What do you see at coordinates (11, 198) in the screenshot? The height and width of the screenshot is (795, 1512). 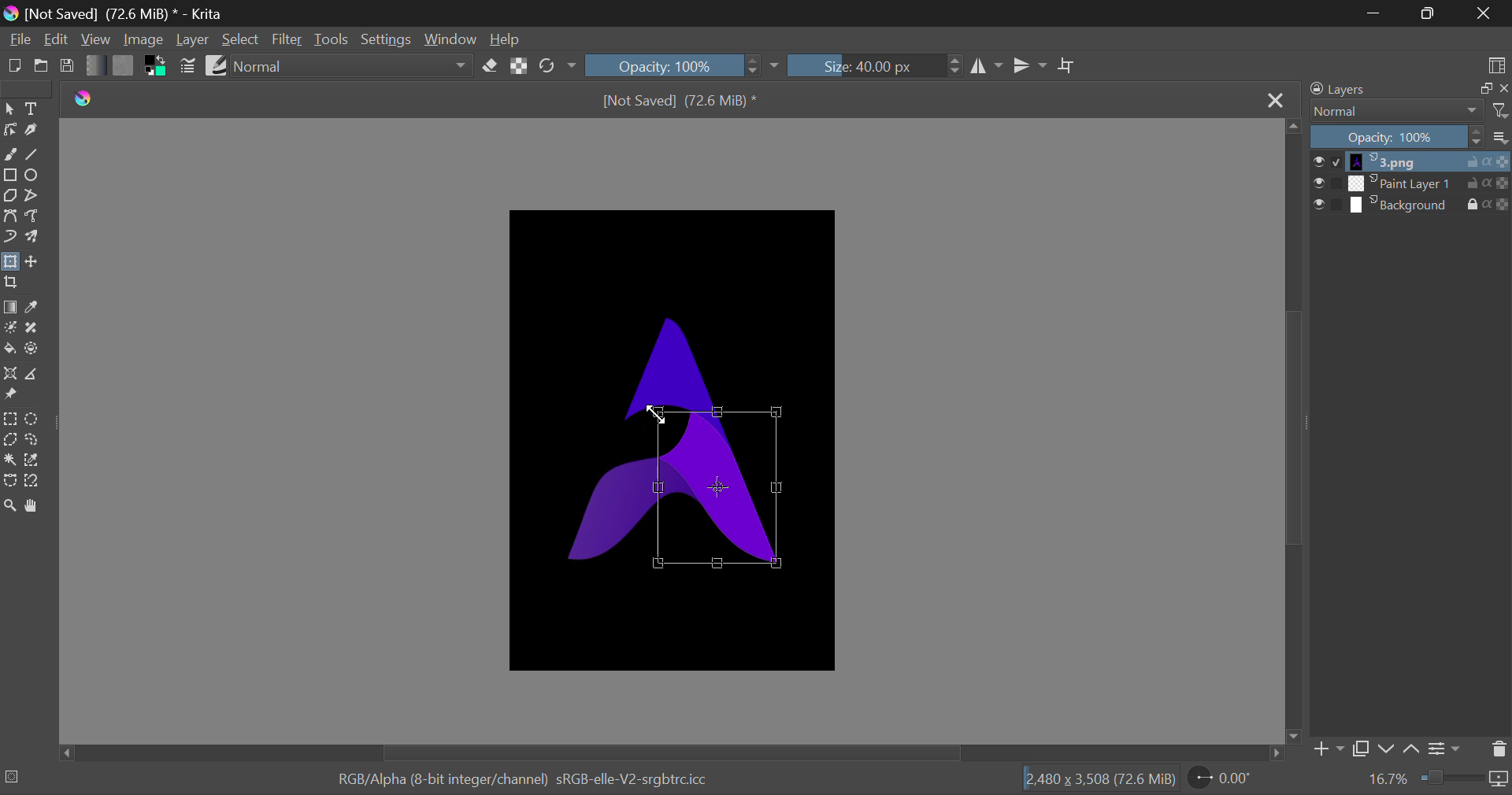 I see `Polygon` at bounding box center [11, 198].